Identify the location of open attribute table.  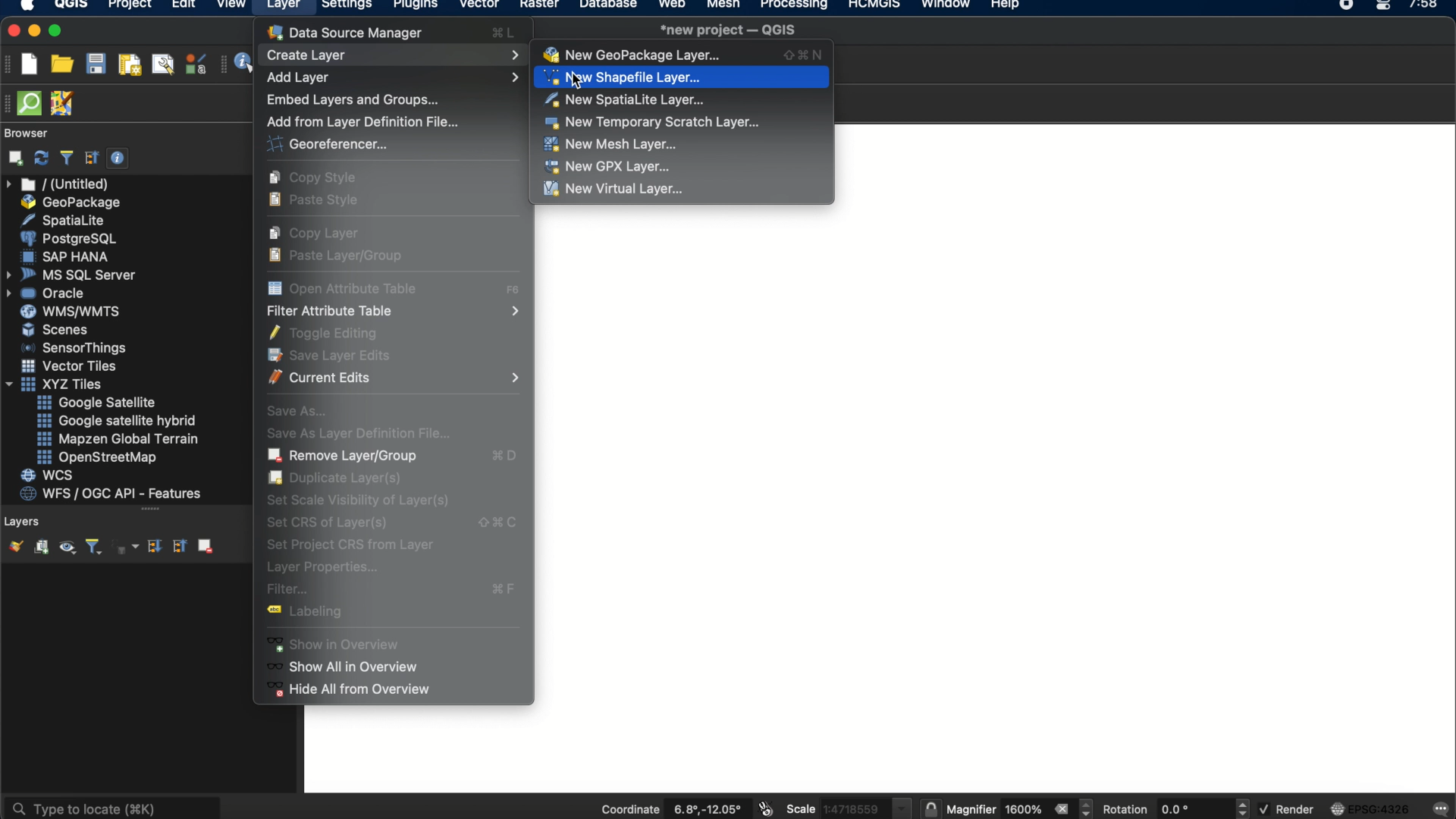
(394, 287).